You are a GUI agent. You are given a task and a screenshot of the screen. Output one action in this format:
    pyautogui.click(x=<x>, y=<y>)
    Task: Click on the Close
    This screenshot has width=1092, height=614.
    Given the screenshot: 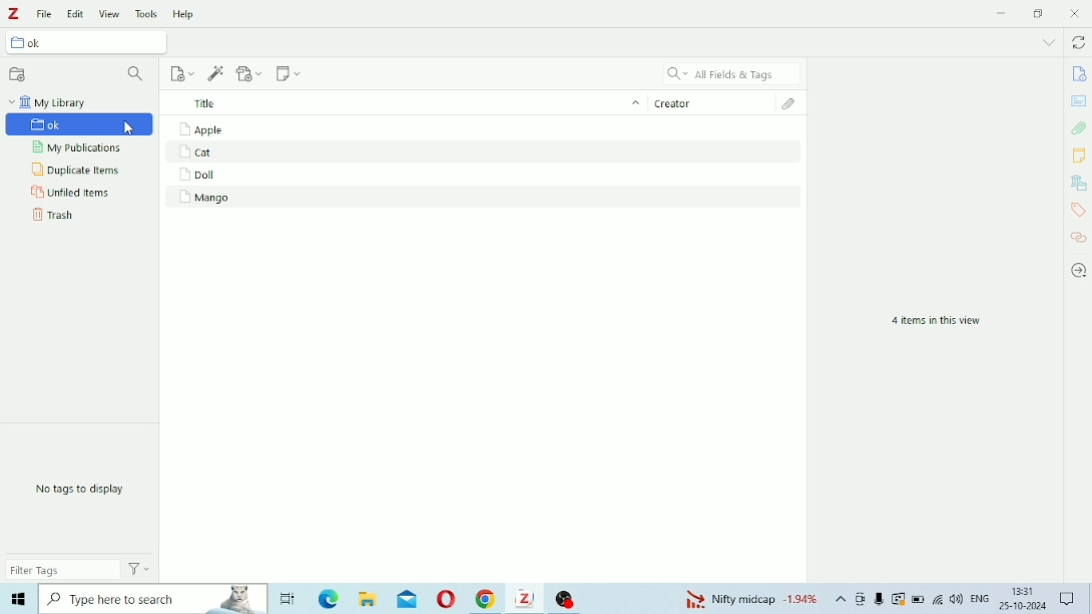 What is the action you would take?
    pyautogui.click(x=1074, y=13)
    